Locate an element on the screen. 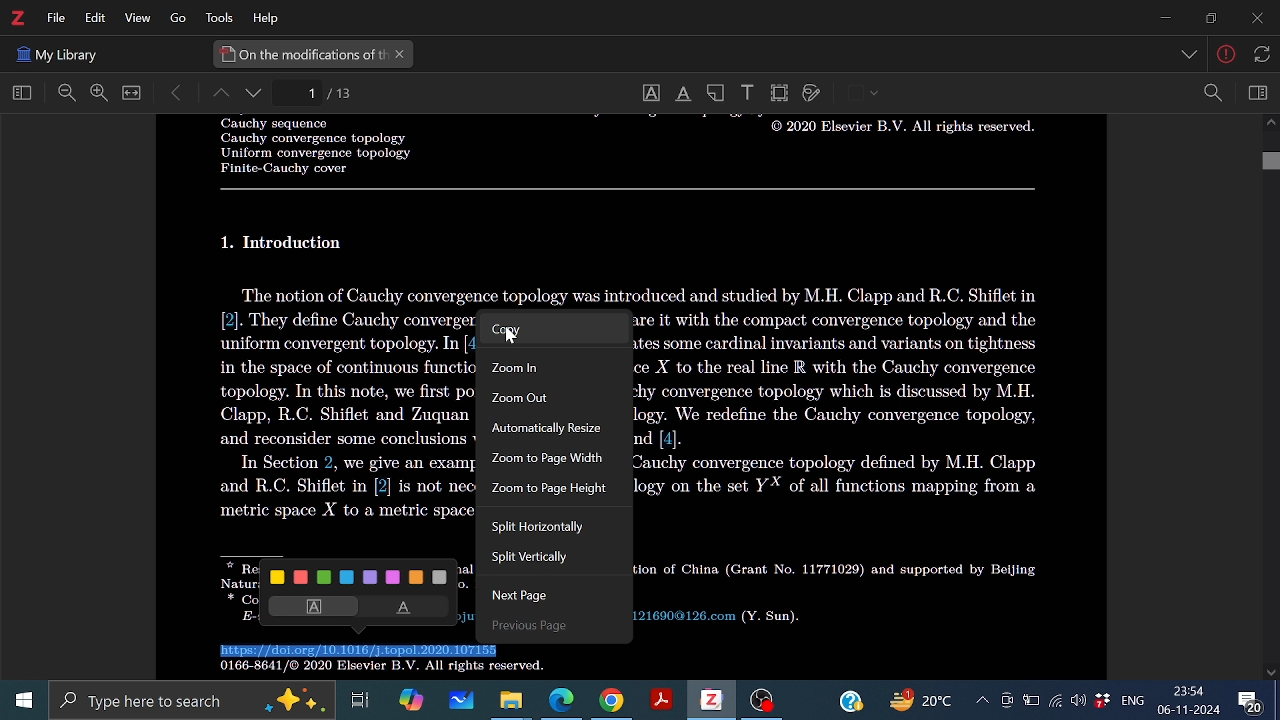 This screenshot has height=720, width=1280. page down is located at coordinates (256, 95).